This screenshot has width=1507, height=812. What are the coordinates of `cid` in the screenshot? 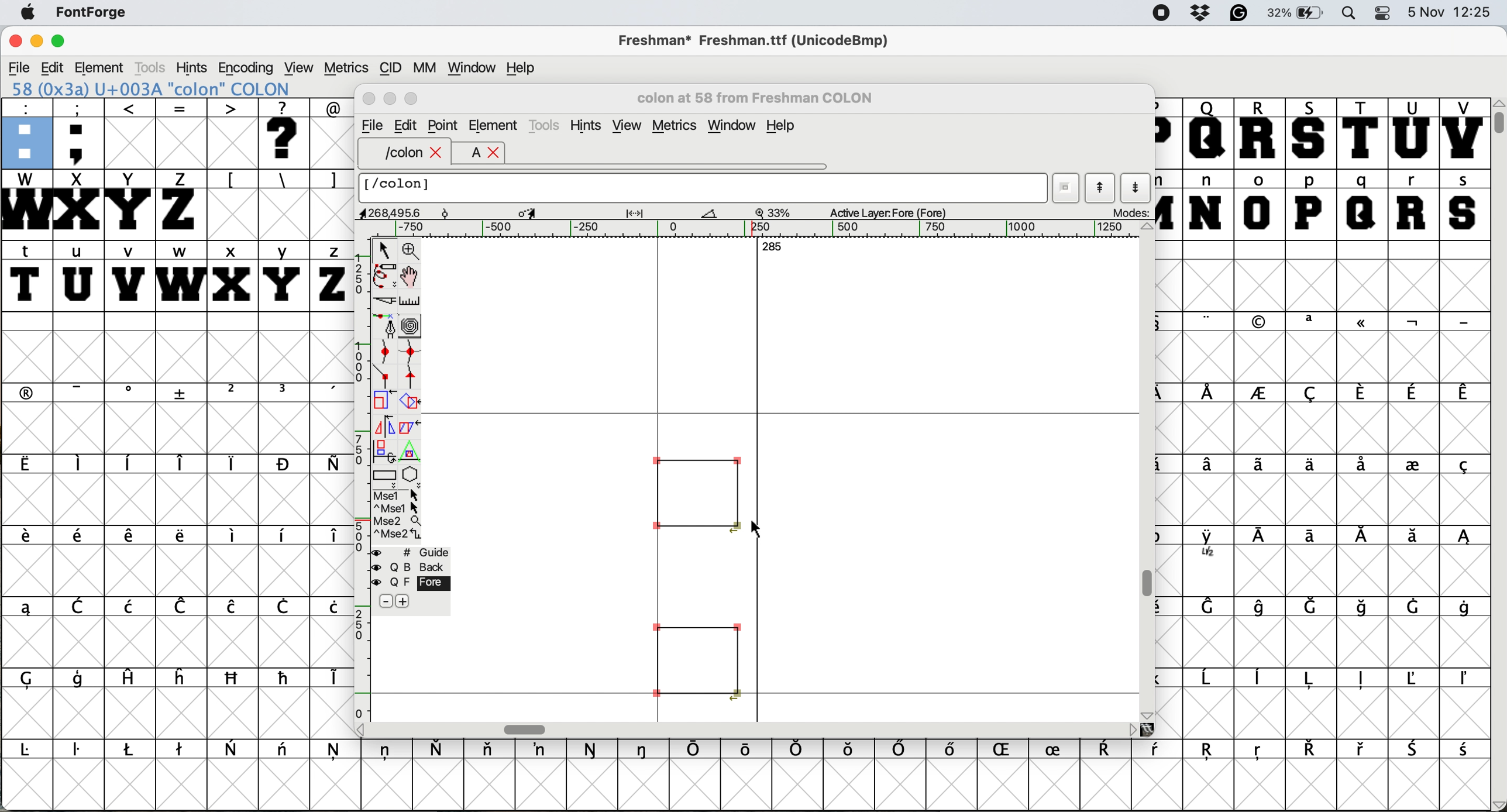 It's located at (389, 67).